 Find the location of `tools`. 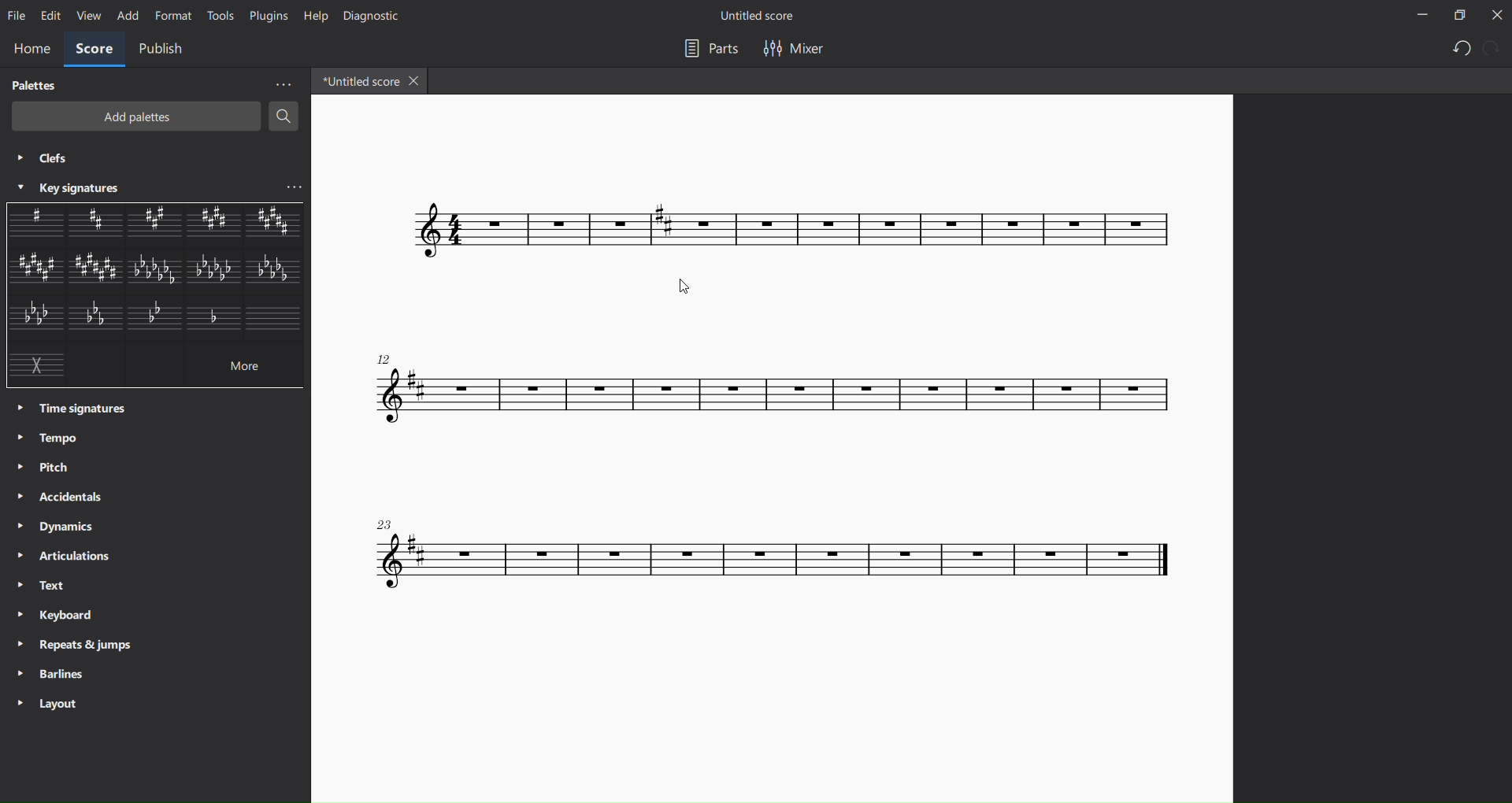

tools is located at coordinates (219, 13).